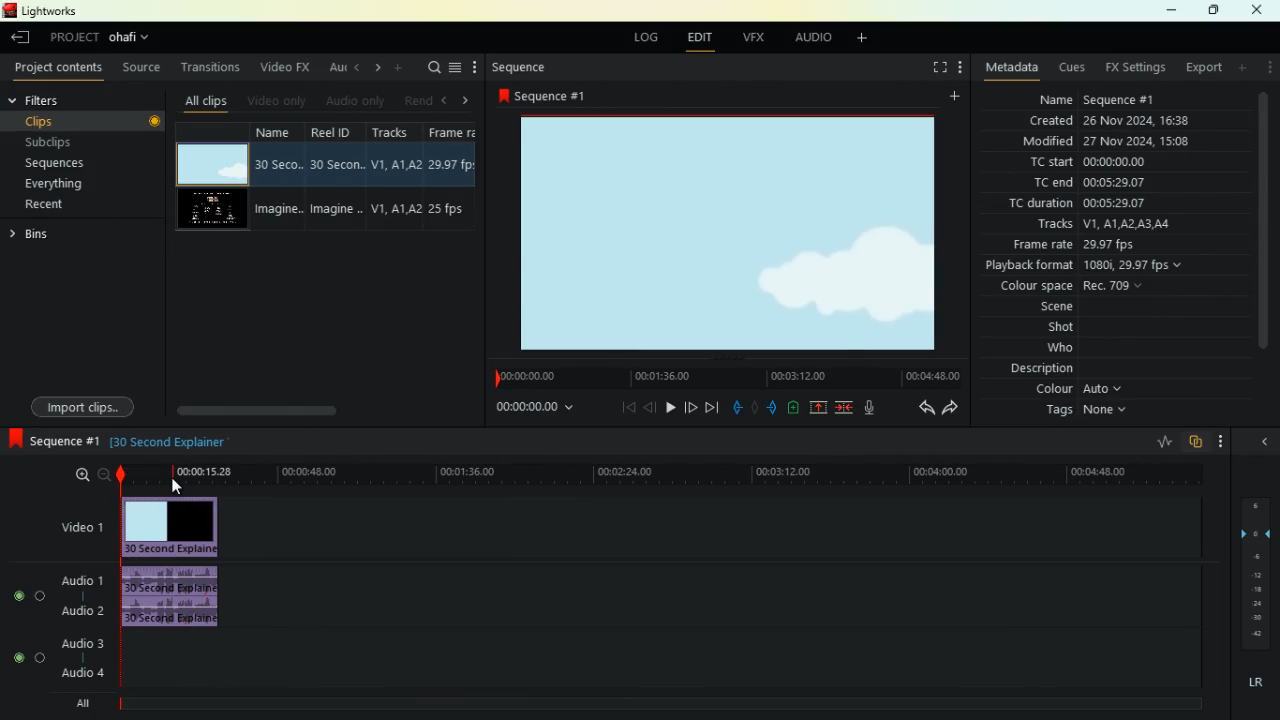  I want to click on up, so click(818, 408).